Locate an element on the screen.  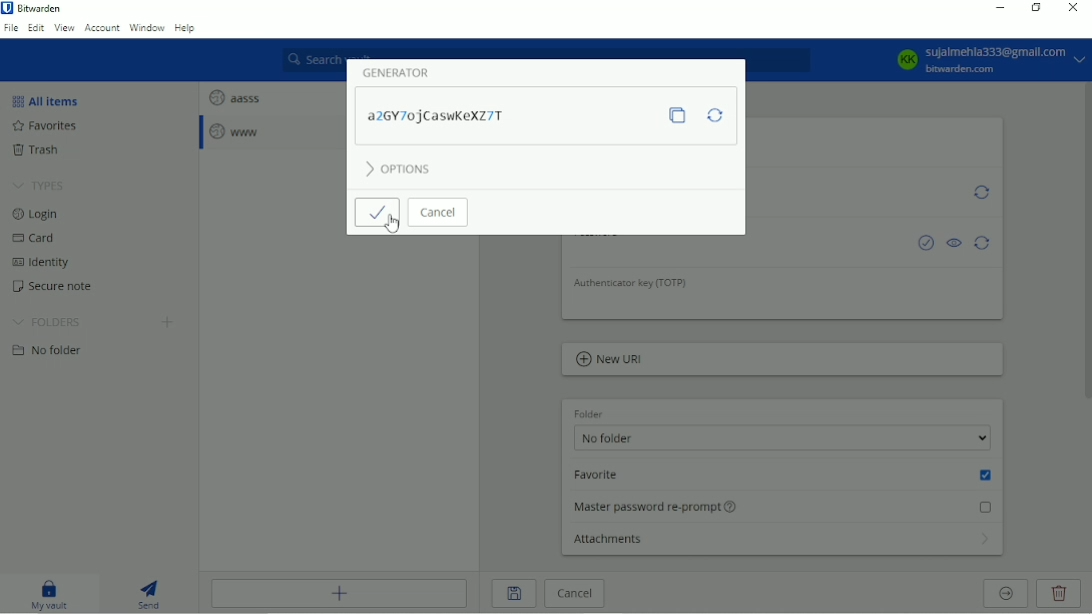
Account is located at coordinates (101, 29).